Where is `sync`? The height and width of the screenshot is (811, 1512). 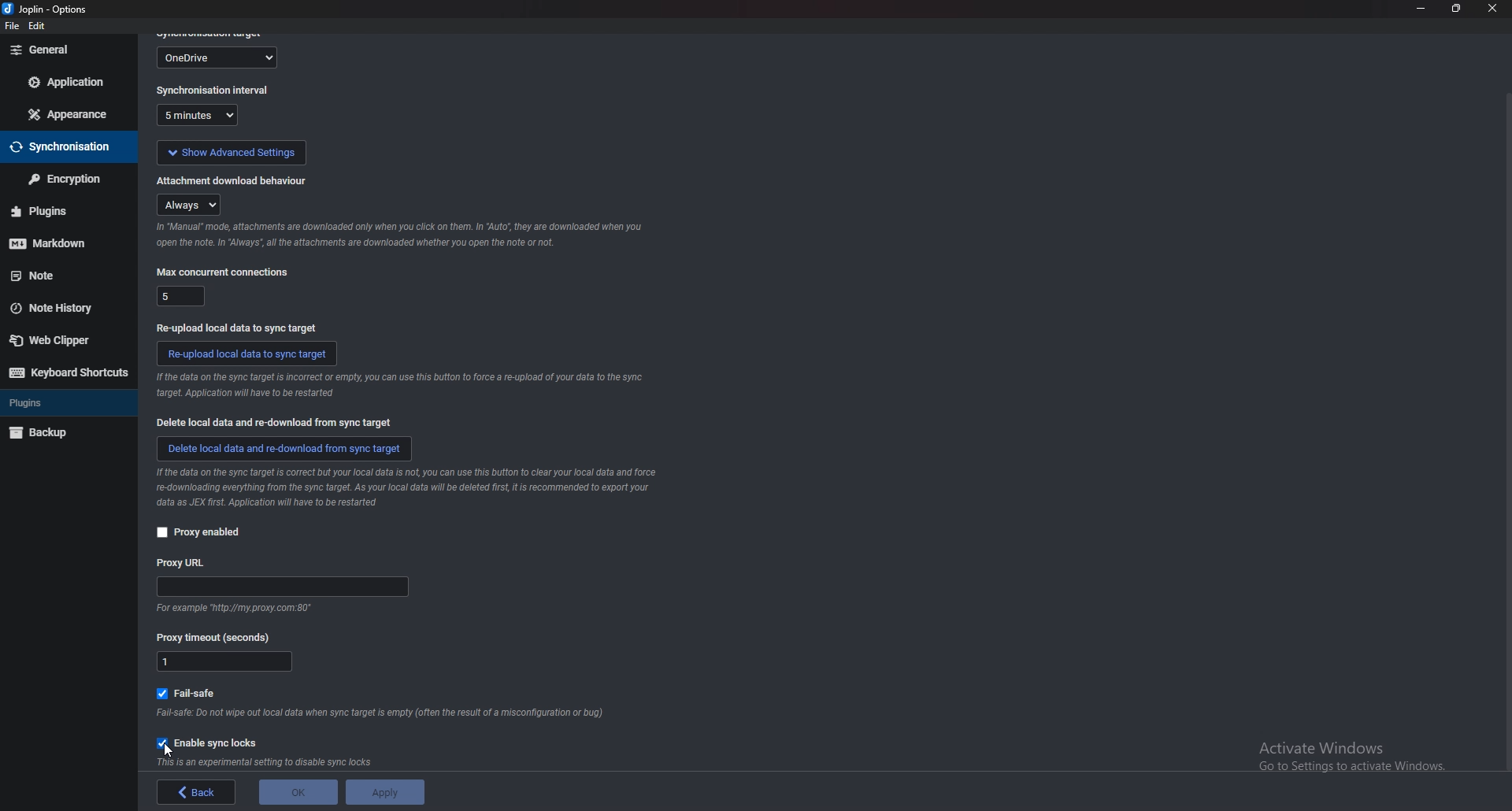 sync is located at coordinates (64, 148).